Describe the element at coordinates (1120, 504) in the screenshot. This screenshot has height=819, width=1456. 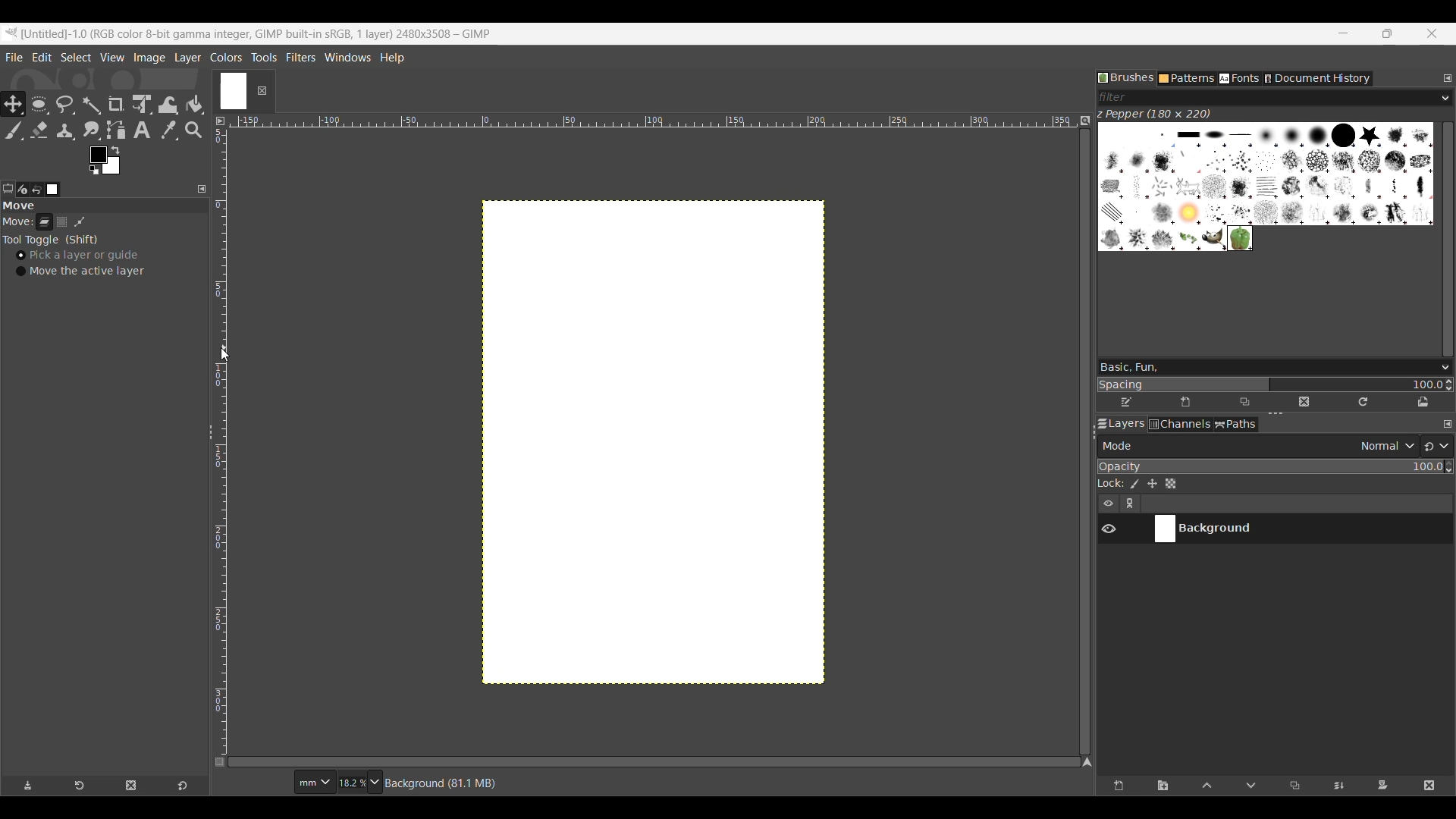
I see `Layer settings` at that location.